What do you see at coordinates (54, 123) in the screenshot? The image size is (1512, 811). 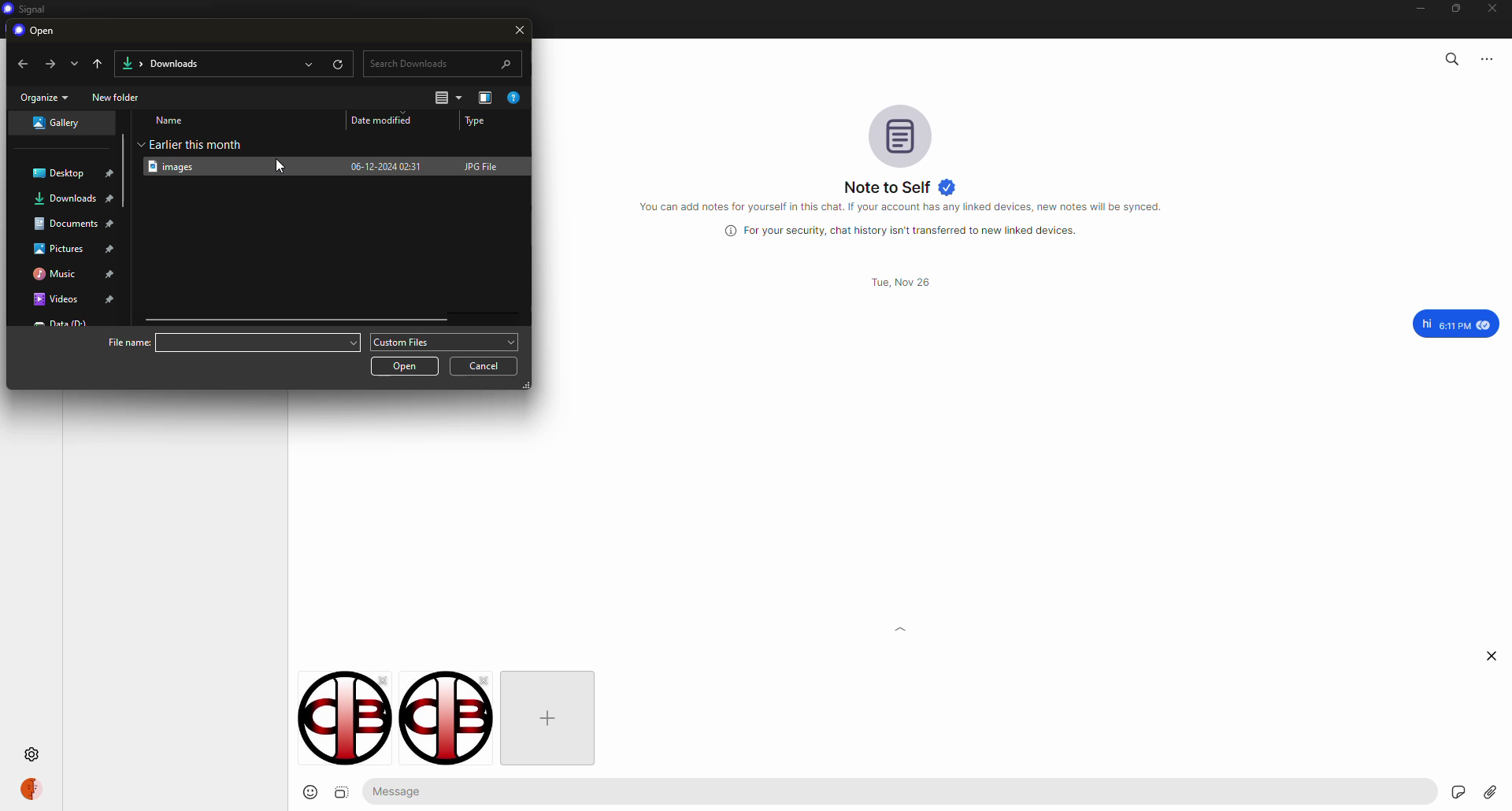 I see `location` at bounding box center [54, 123].